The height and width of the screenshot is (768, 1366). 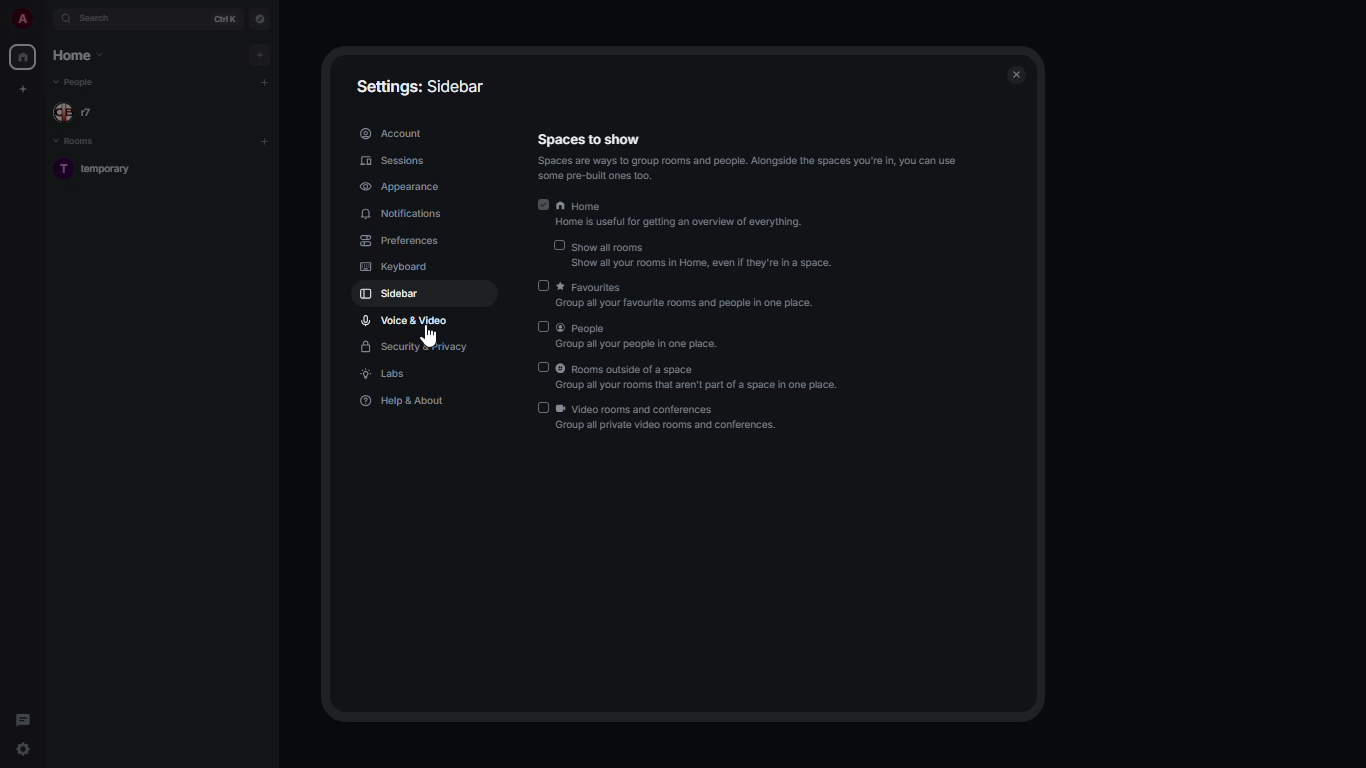 What do you see at coordinates (402, 189) in the screenshot?
I see `appearance` at bounding box center [402, 189].